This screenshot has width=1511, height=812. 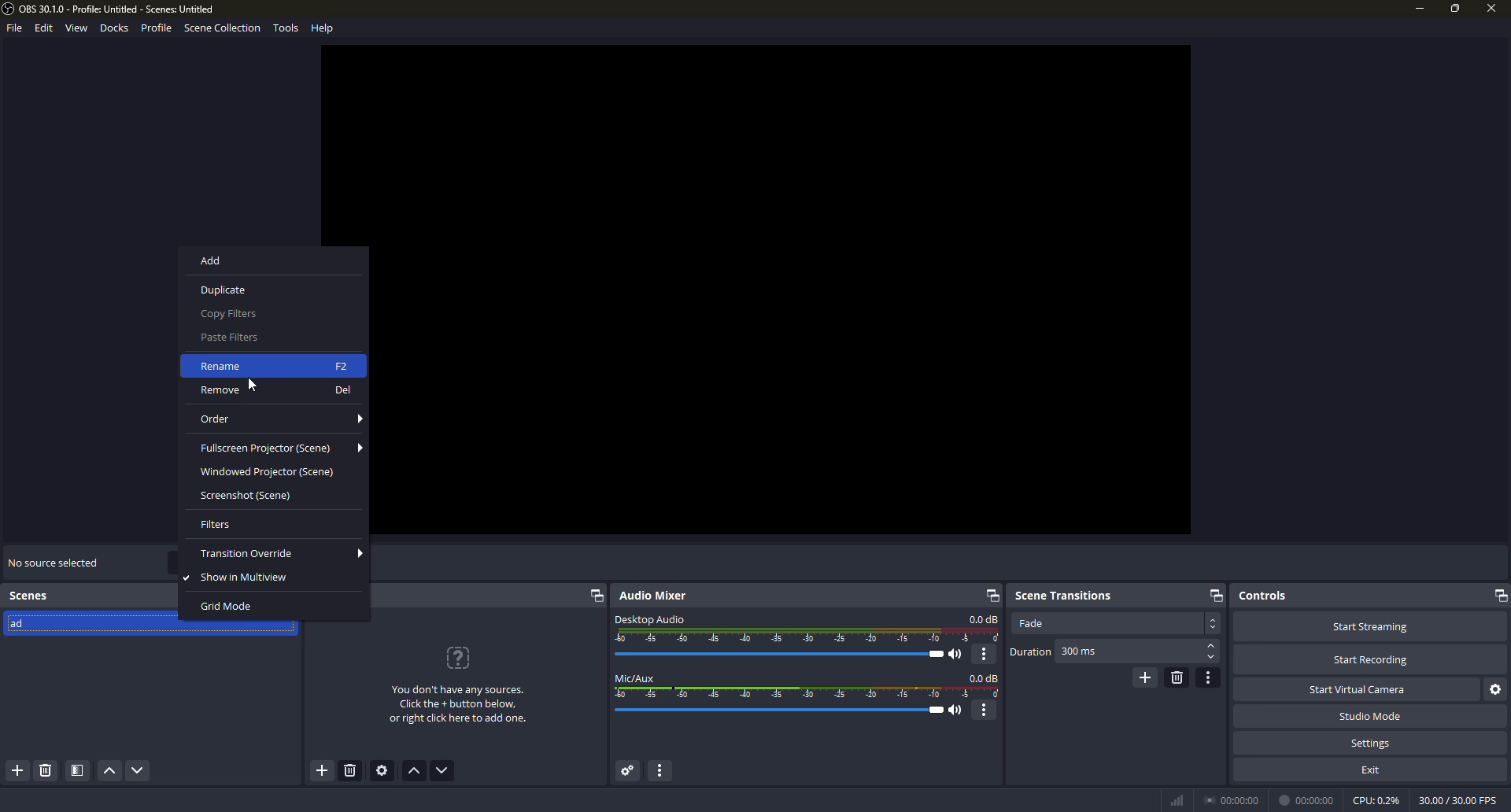 I want to click on move scene up, so click(x=109, y=772).